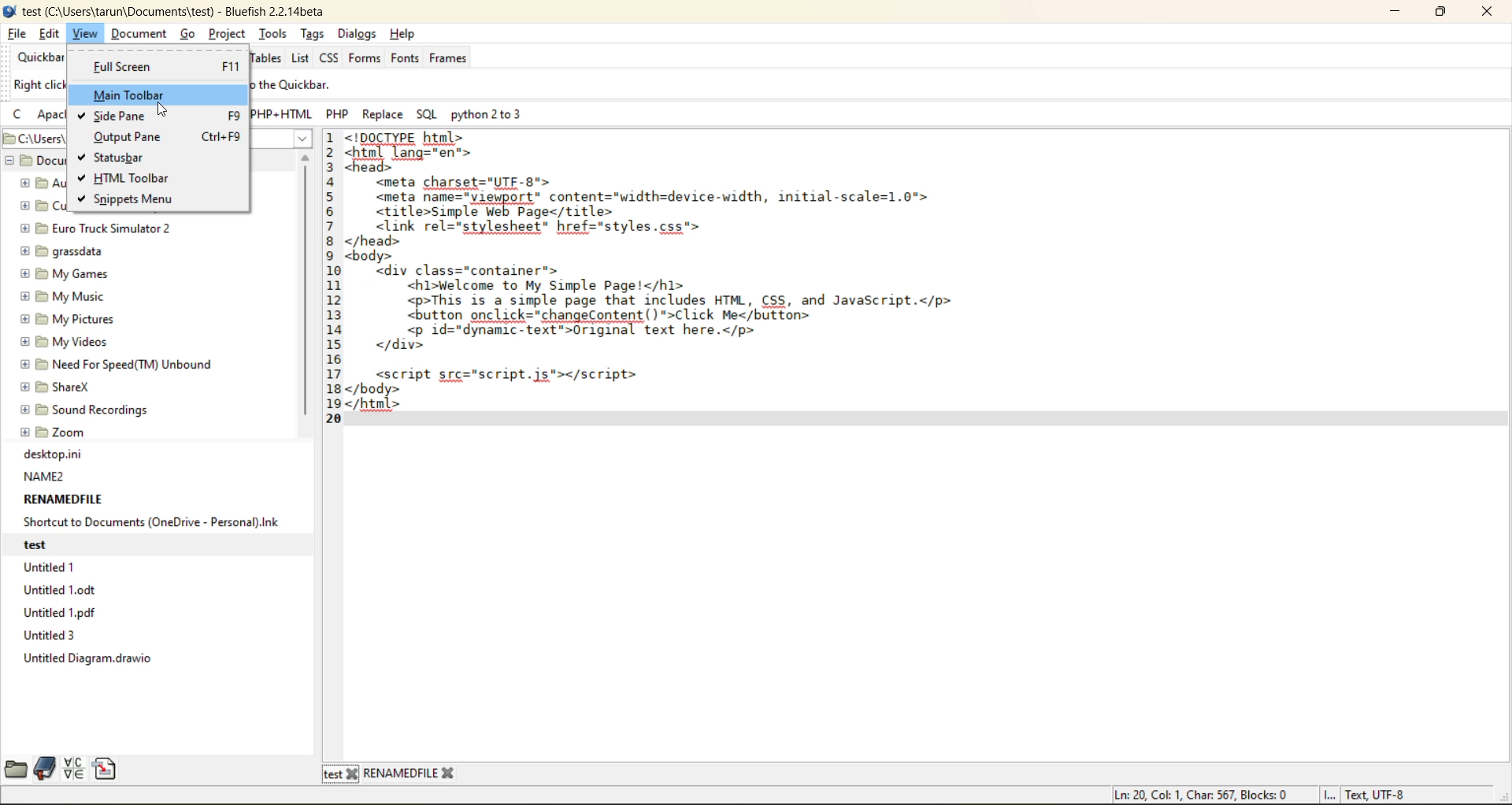 This screenshot has width=1512, height=805. Describe the element at coordinates (724, 287) in the screenshot. I see `code editor` at that location.